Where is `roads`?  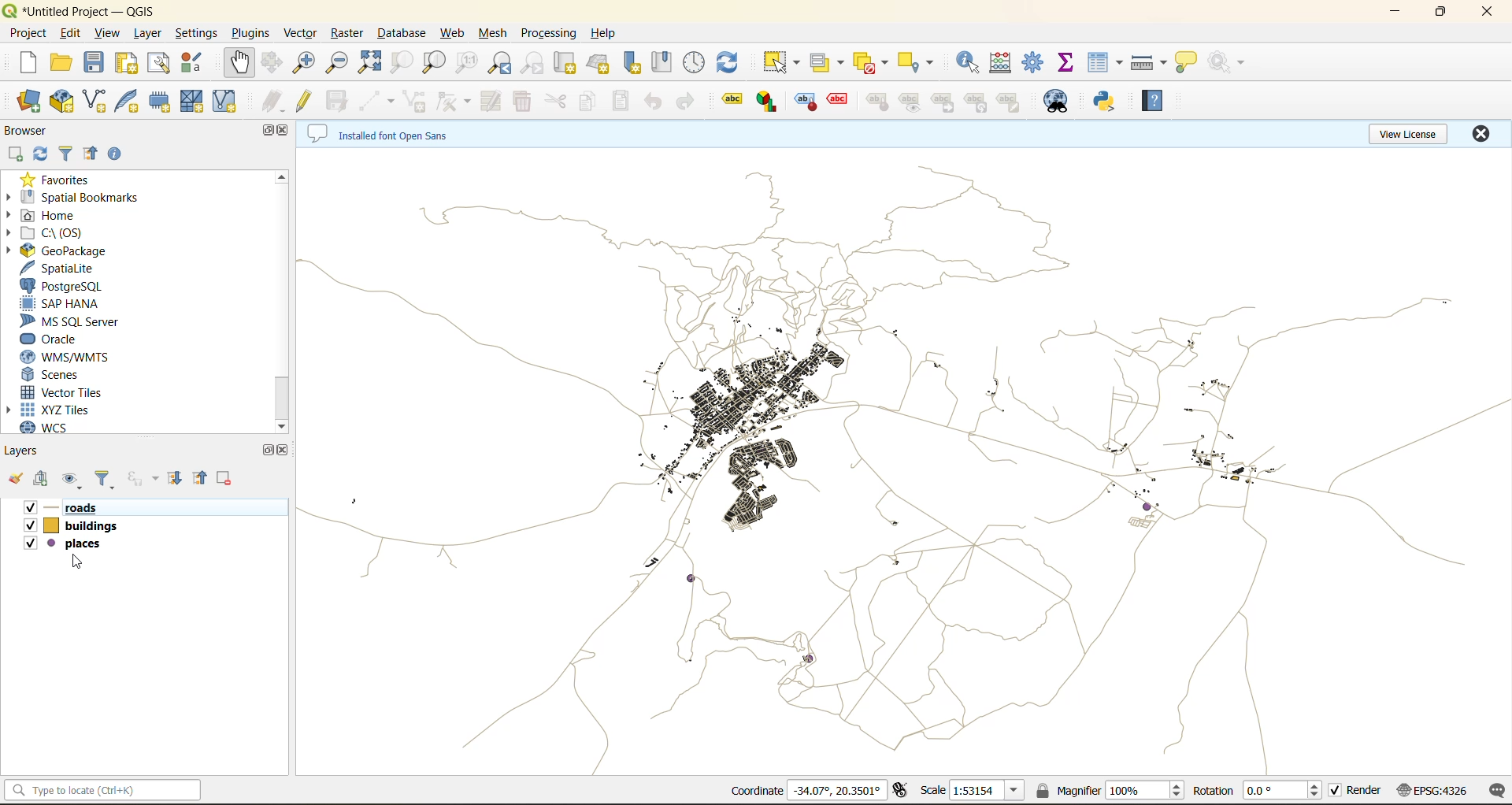
roads is located at coordinates (76, 508).